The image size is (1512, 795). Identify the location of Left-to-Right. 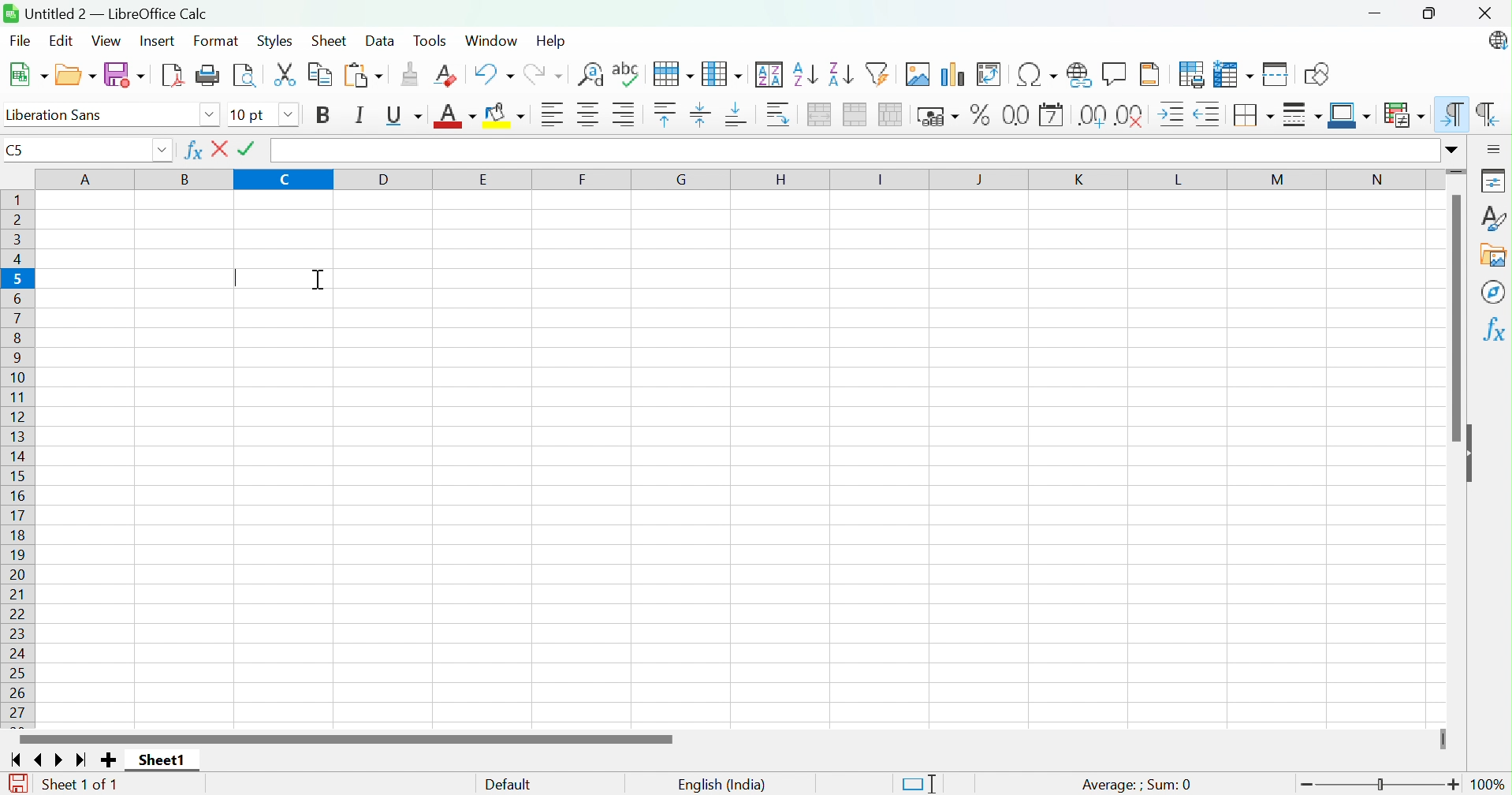
(1453, 115).